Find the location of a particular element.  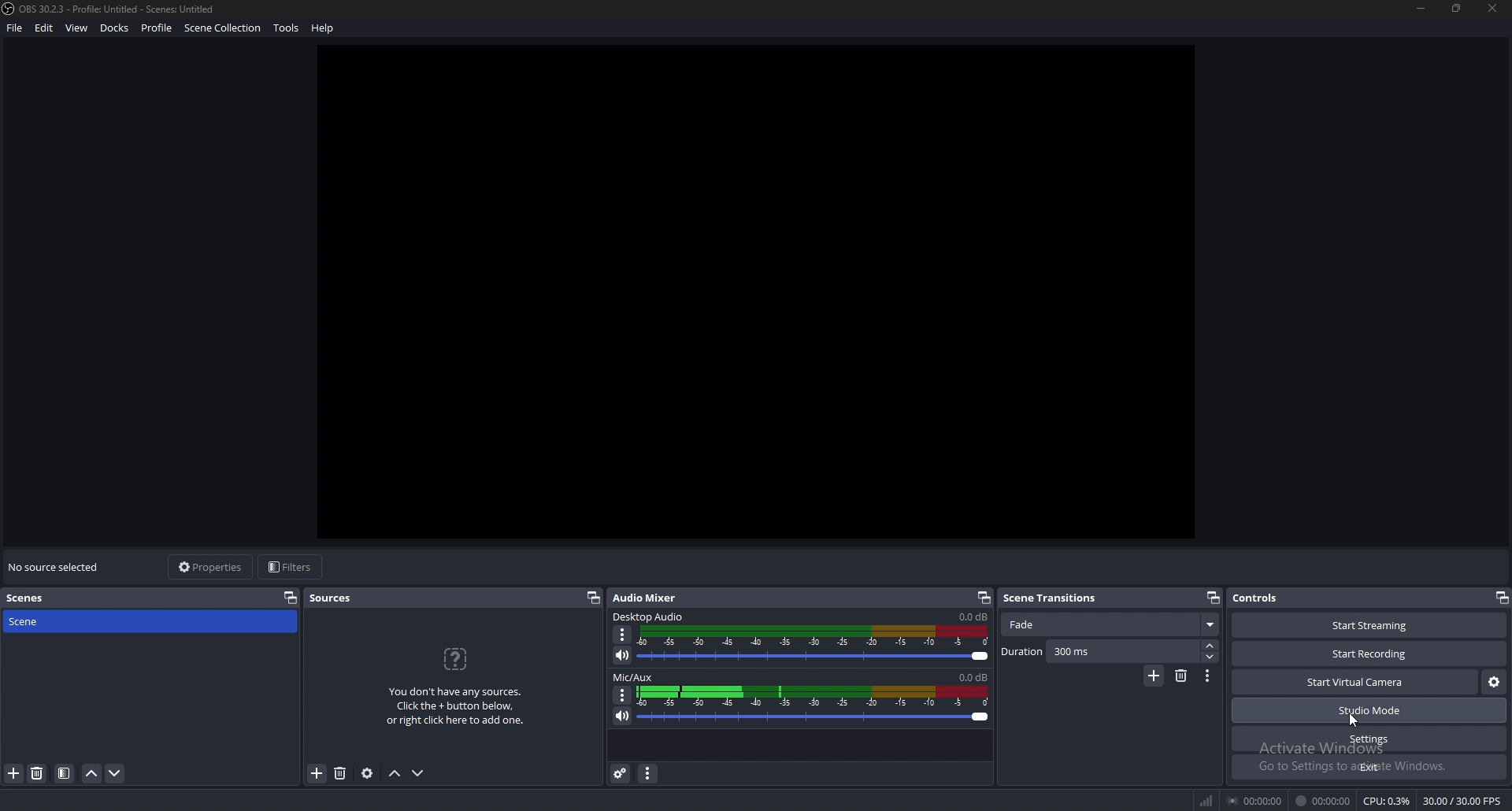

close is located at coordinates (1492, 8).